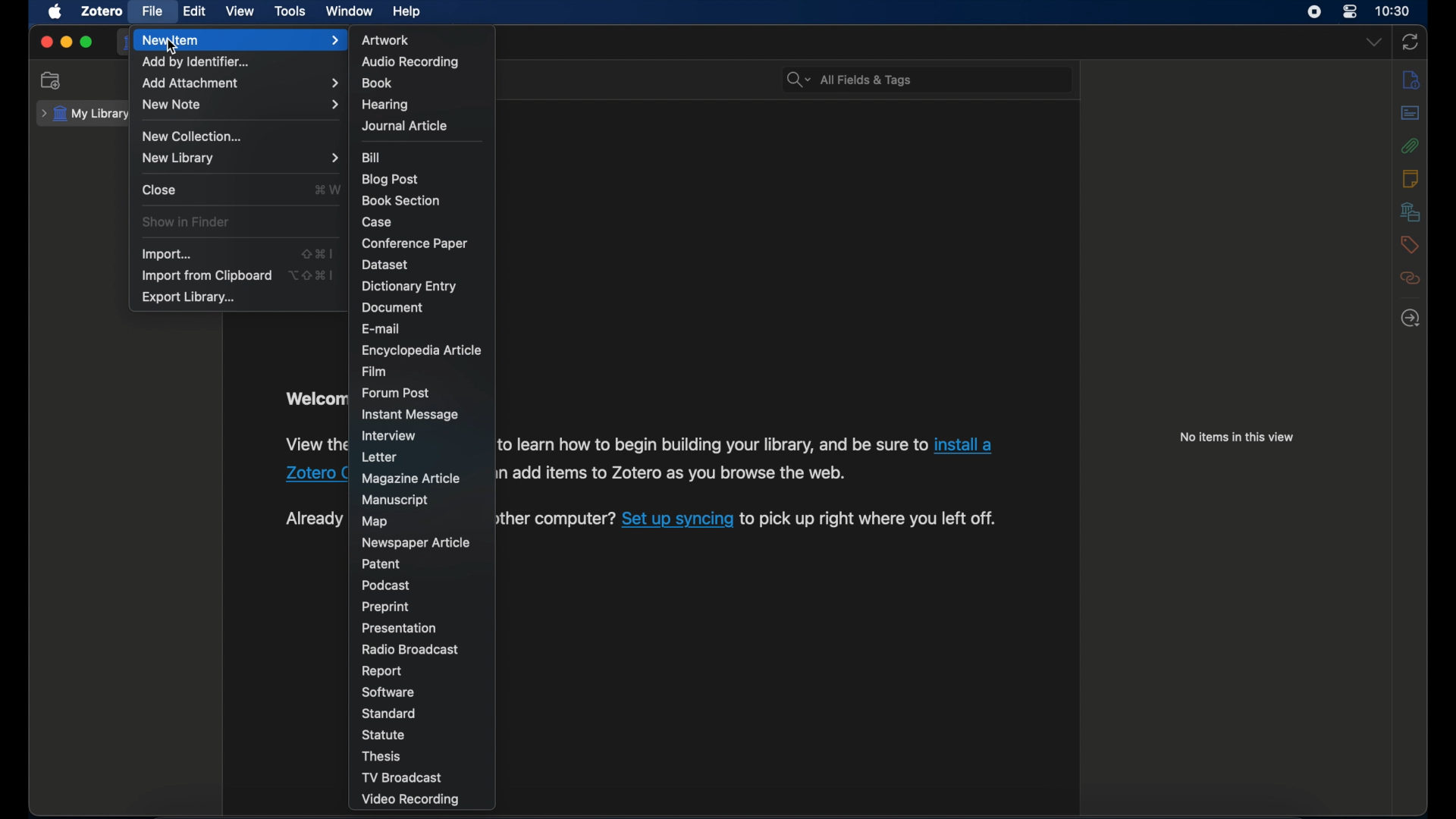  What do you see at coordinates (86, 115) in the screenshot?
I see `my library` at bounding box center [86, 115].